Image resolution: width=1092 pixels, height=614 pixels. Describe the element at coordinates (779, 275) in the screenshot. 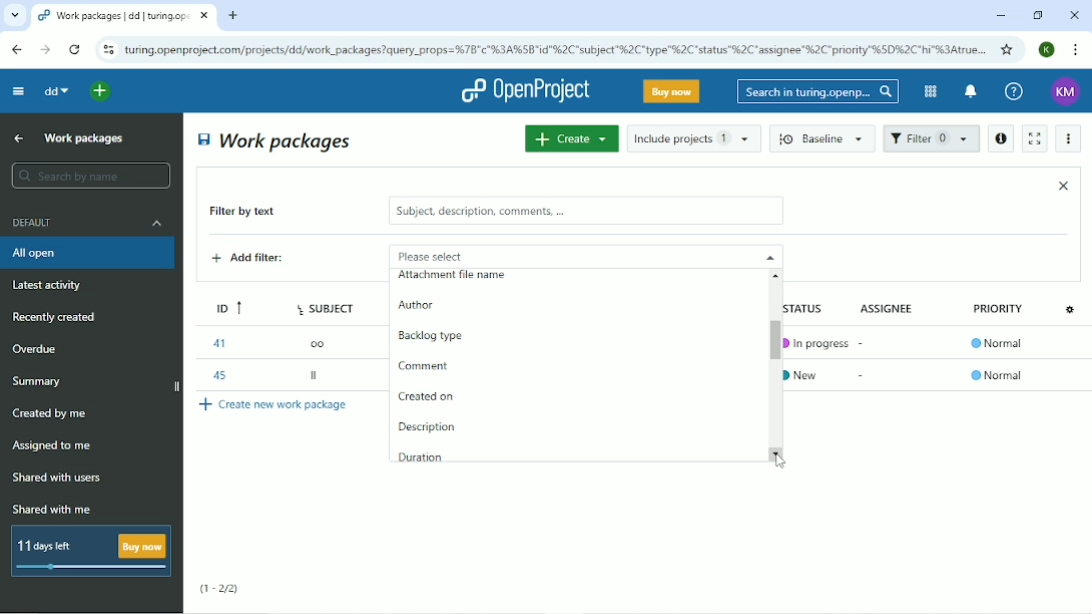

I see `scroll up` at that location.